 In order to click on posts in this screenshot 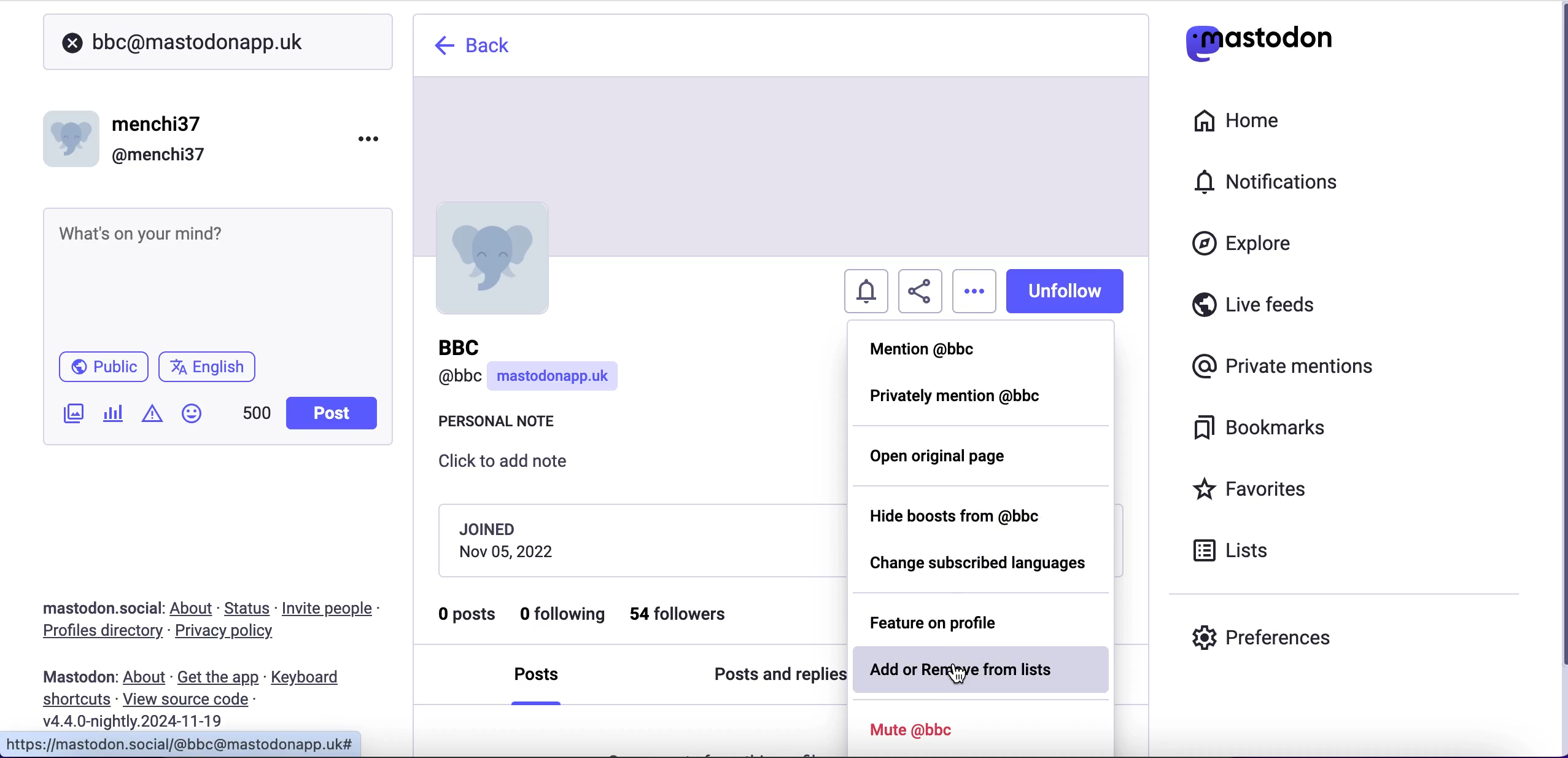, I will do `click(545, 679)`.